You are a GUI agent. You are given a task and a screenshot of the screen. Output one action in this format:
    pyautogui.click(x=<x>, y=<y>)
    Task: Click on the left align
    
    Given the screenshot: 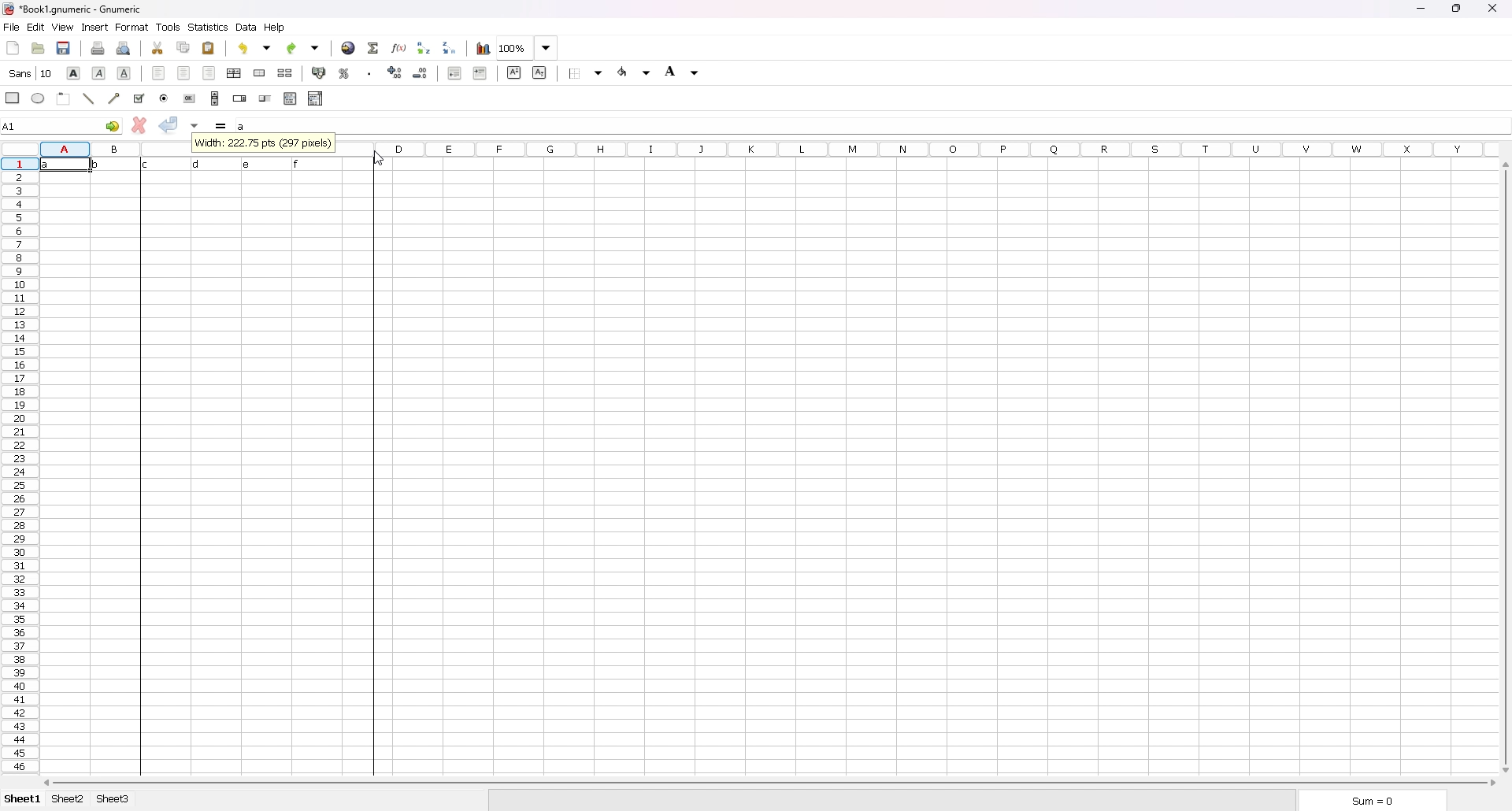 What is the action you would take?
    pyautogui.click(x=159, y=72)
    